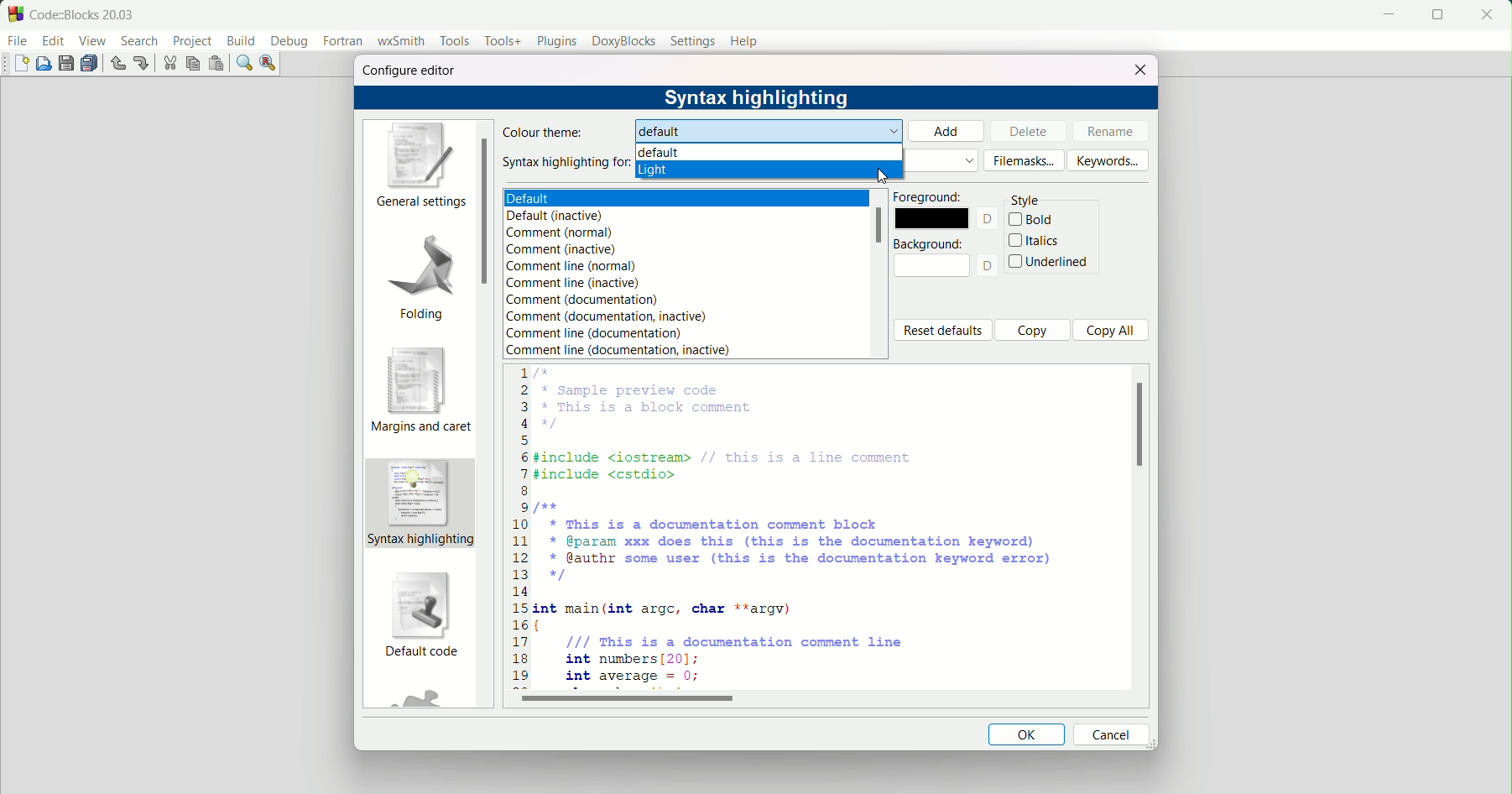 This screenshot has width=1512, height=794. Describe the element at coordinates (400, 43) in the screenshot. I see `wxsmith` at that location.